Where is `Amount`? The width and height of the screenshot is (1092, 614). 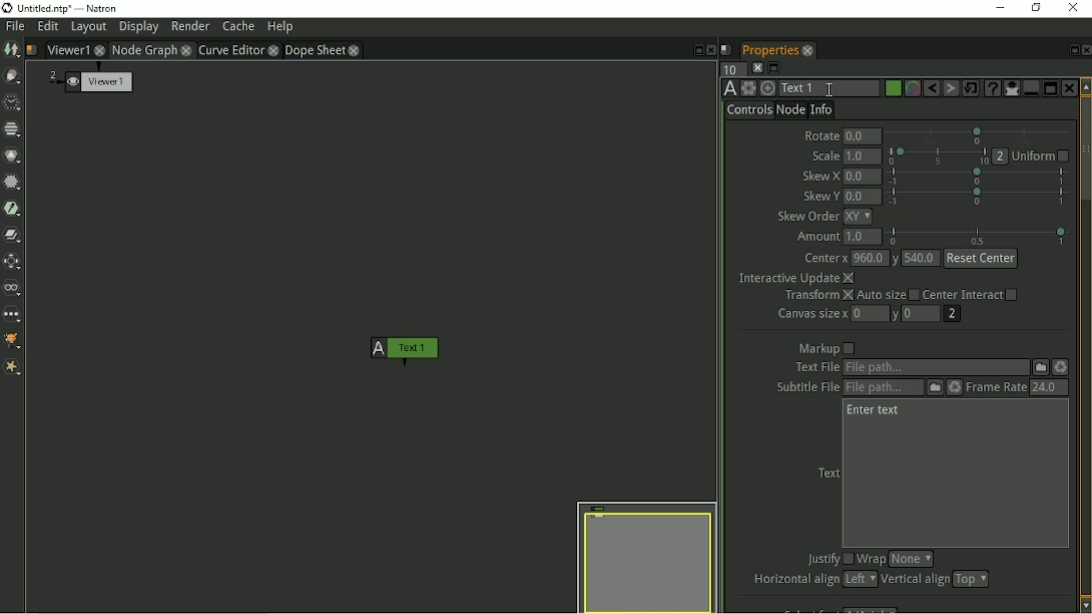
Amount is located at coordinates (817, 236).